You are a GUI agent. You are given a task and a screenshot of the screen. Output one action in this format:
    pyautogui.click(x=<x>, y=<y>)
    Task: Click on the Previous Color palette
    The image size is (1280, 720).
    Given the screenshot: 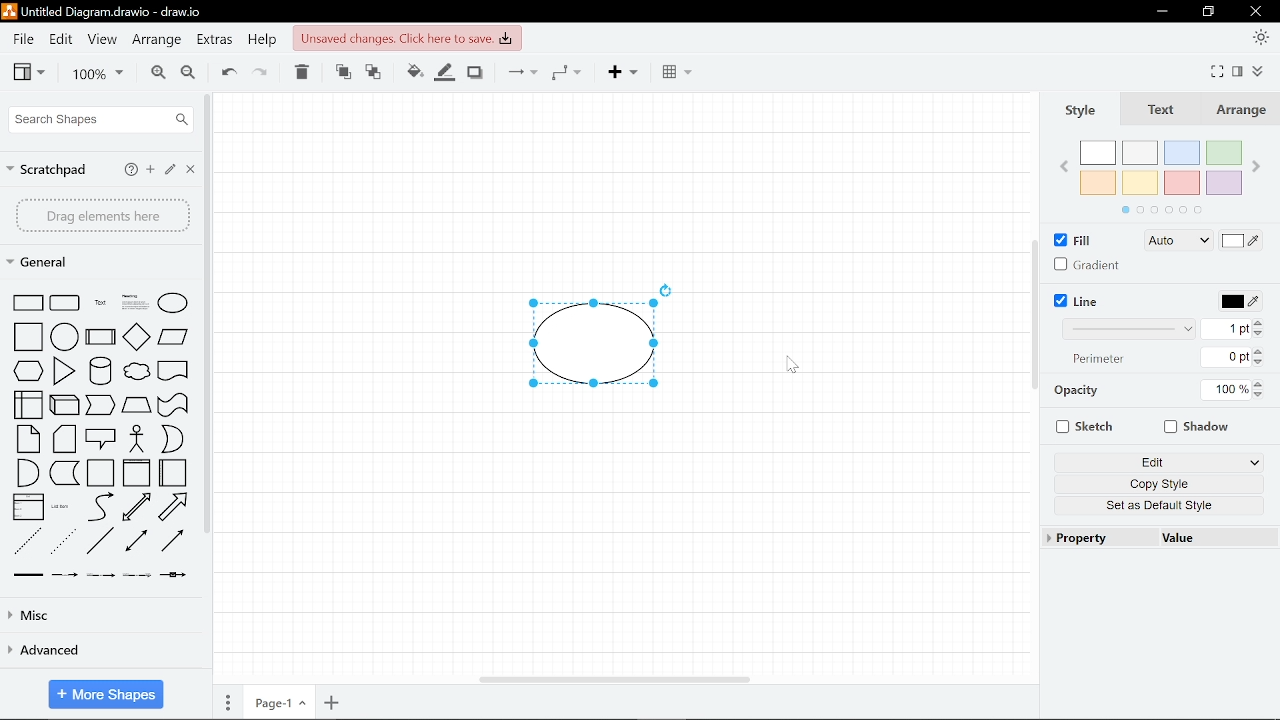 What is the action you would take?
    pyautogui.click(x=1061, y=165)
    